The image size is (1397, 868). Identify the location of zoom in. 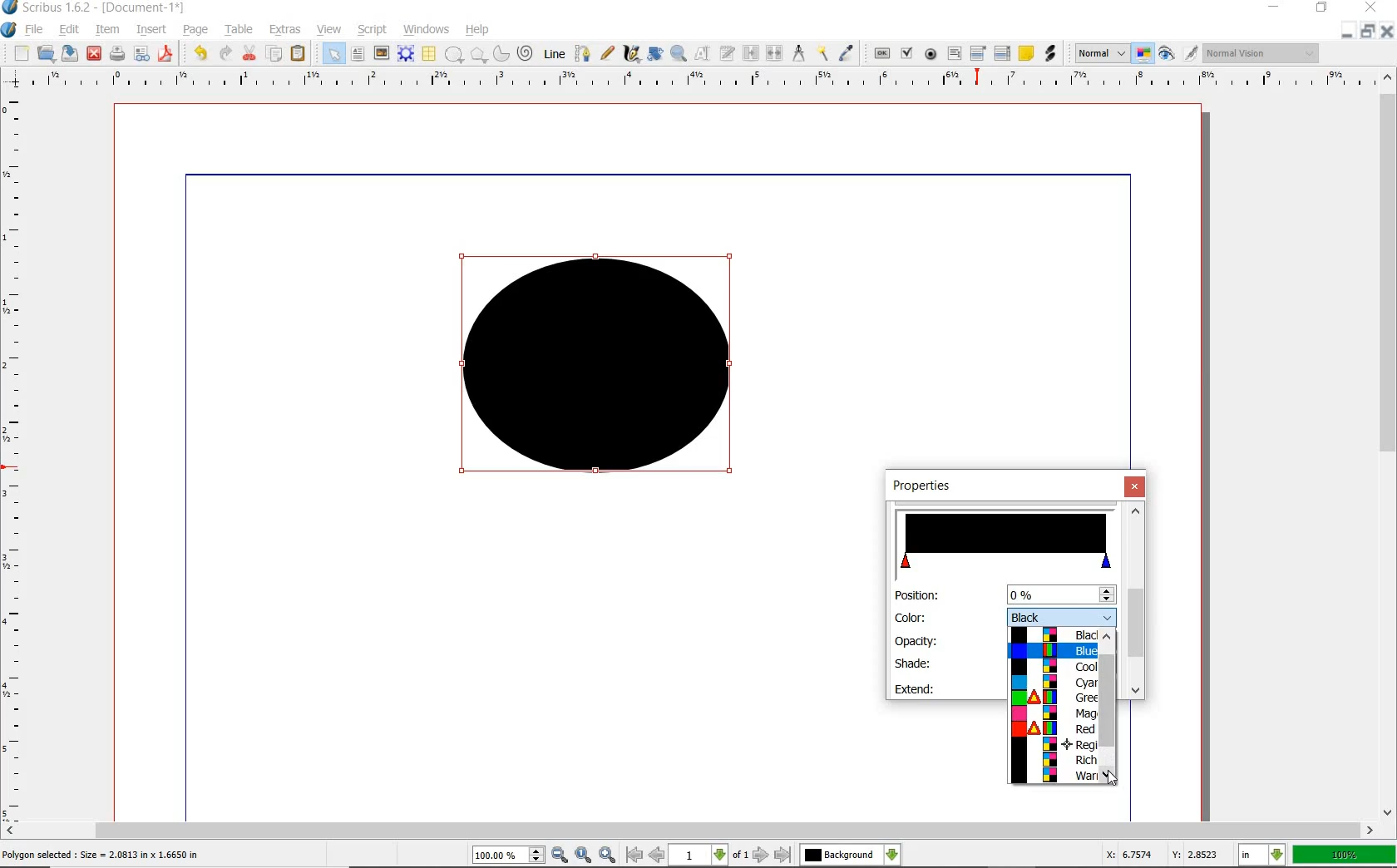
(560, 856).